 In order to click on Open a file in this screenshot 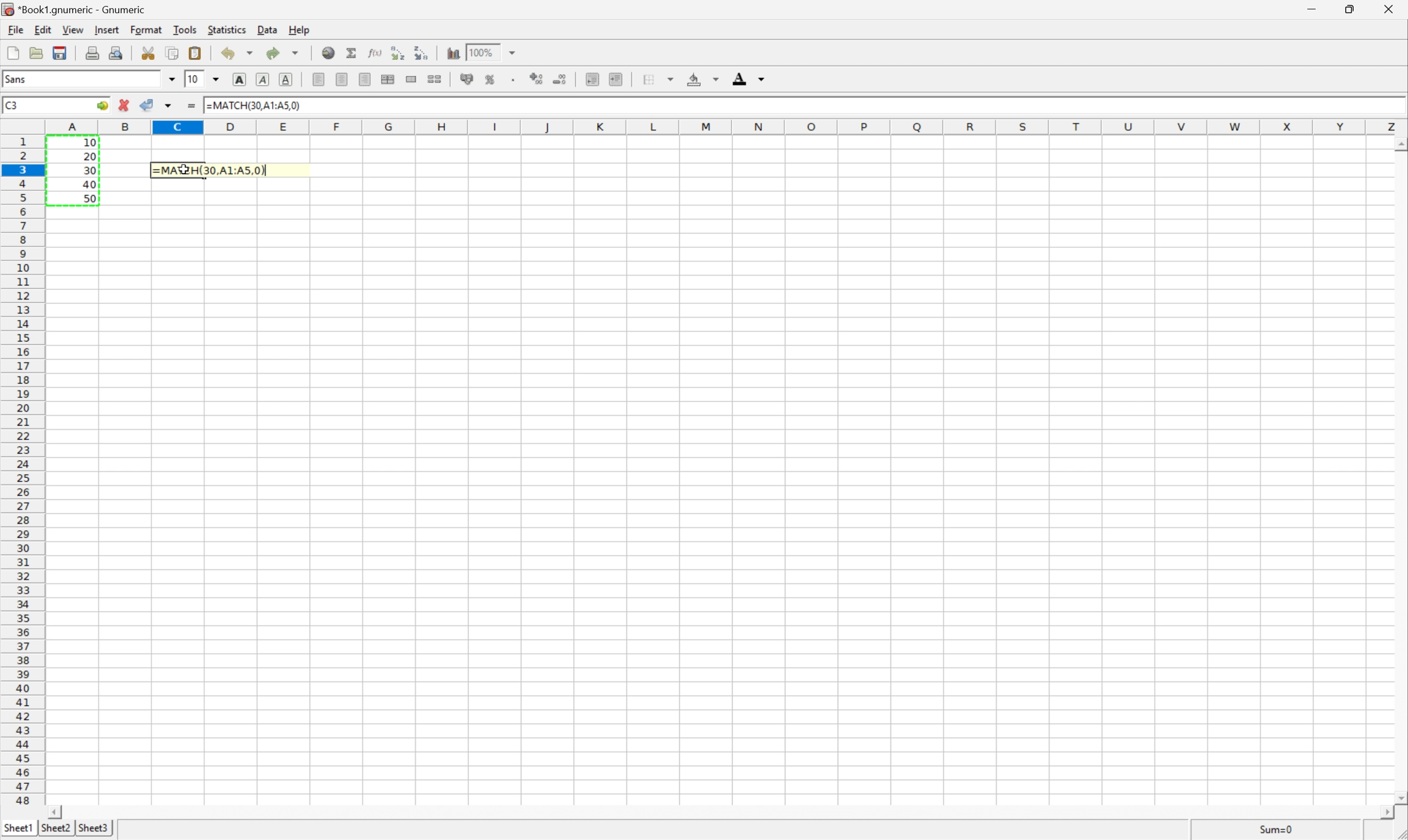, I will do `click(38, 51)`.